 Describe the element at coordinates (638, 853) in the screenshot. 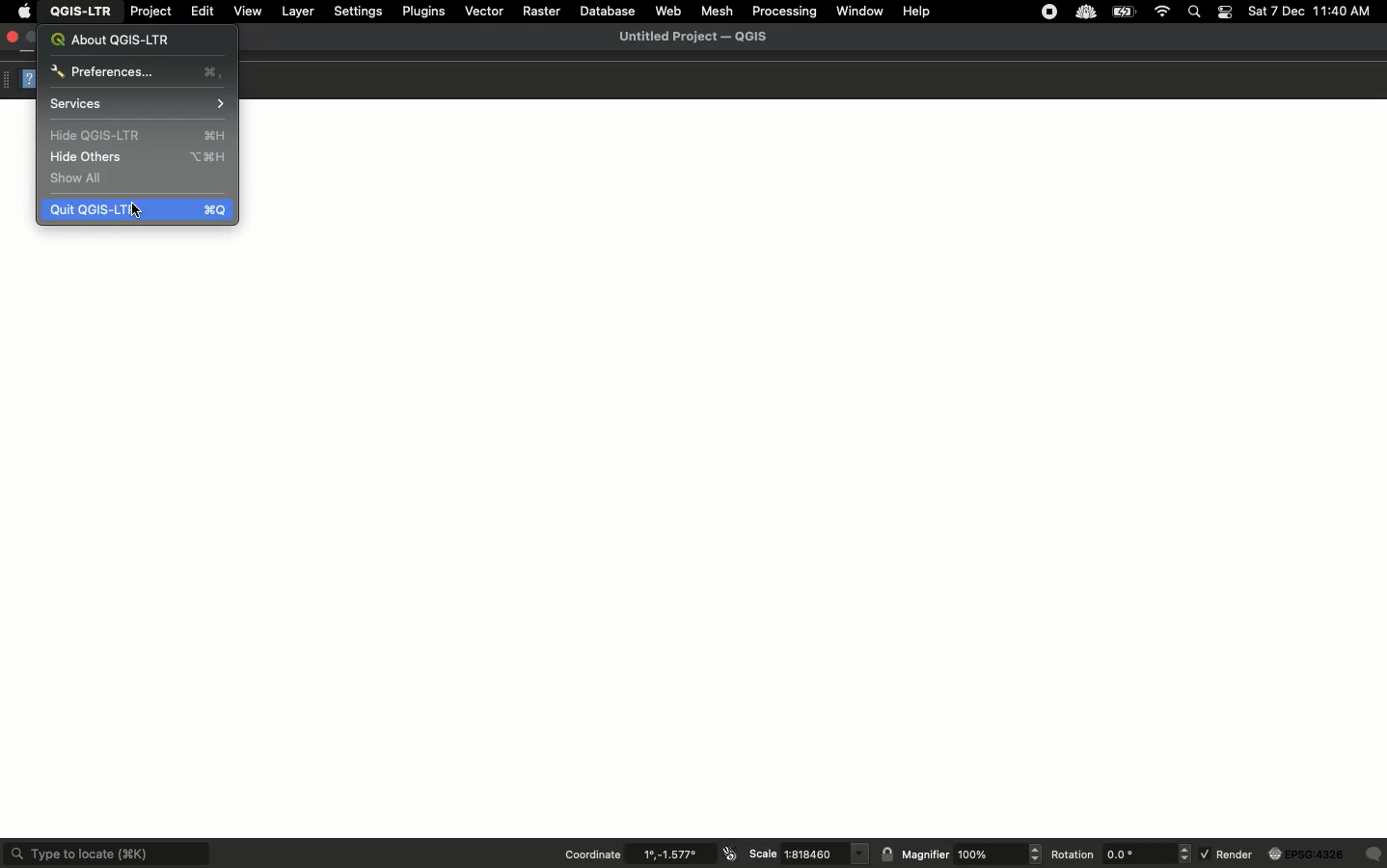

I see `Coordinate` at that location.